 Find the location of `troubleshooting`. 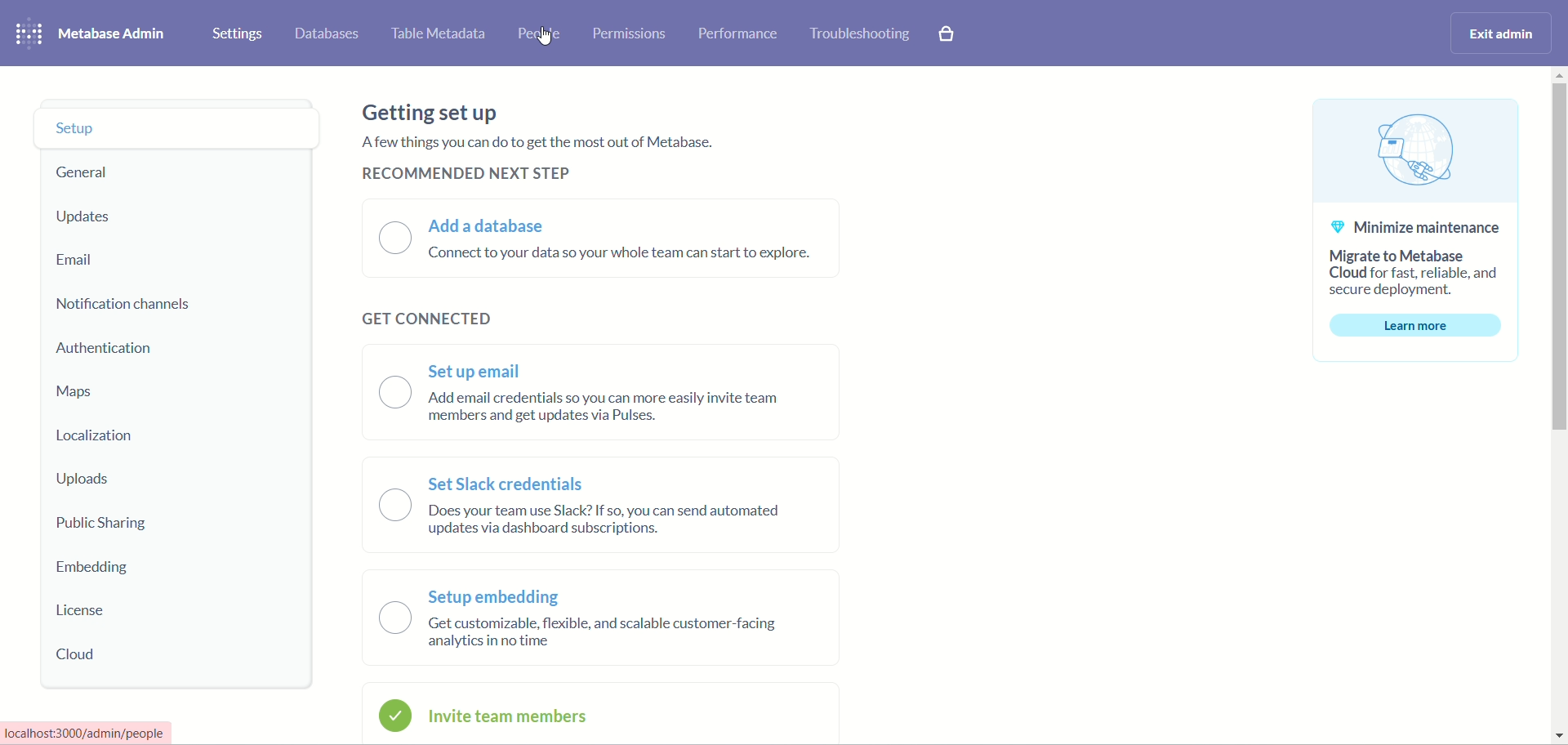

troubleshooting is located at coordinates (859, 31).